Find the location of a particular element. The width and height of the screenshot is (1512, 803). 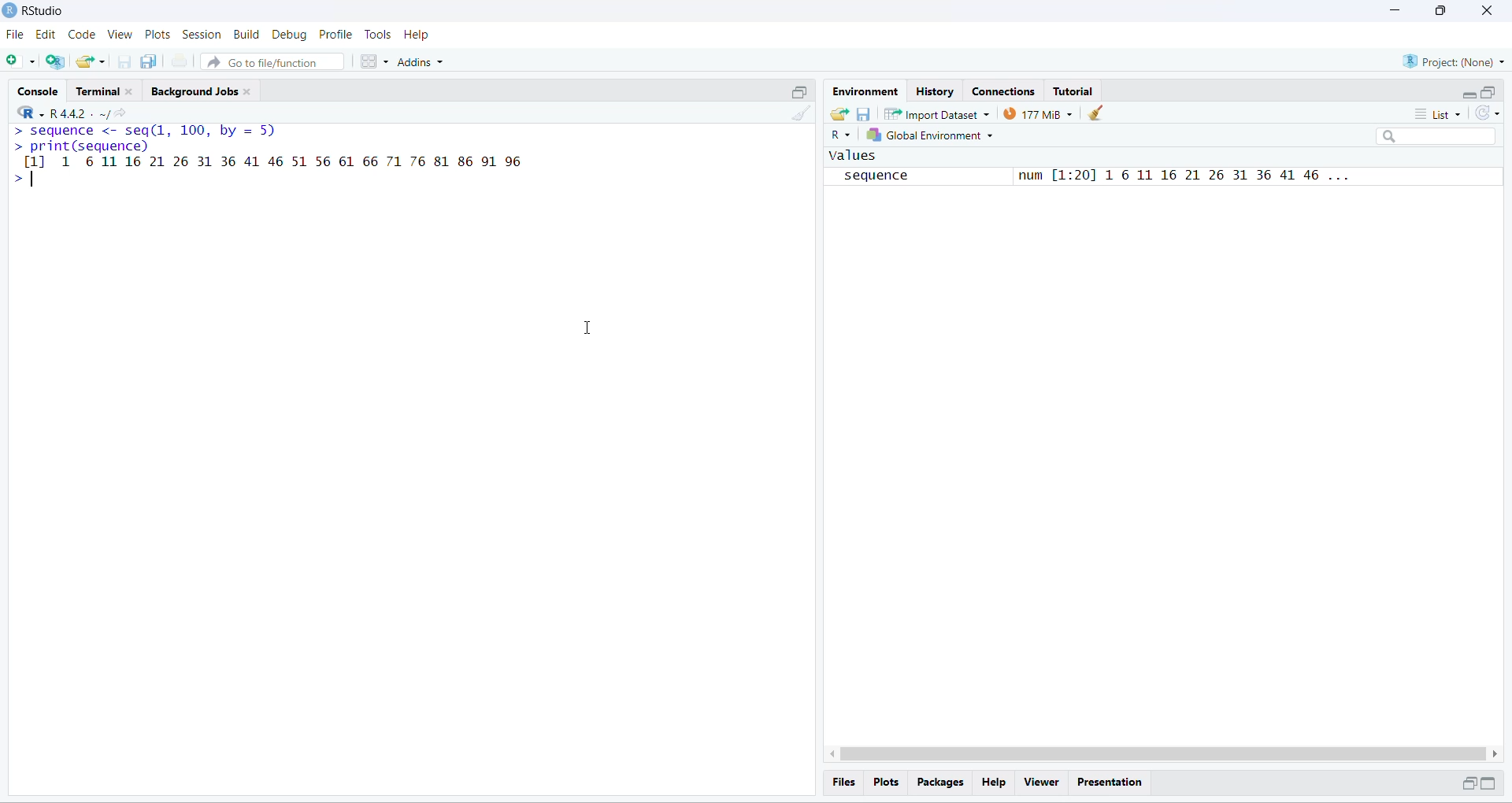

code is located at coordinates (83, 35).